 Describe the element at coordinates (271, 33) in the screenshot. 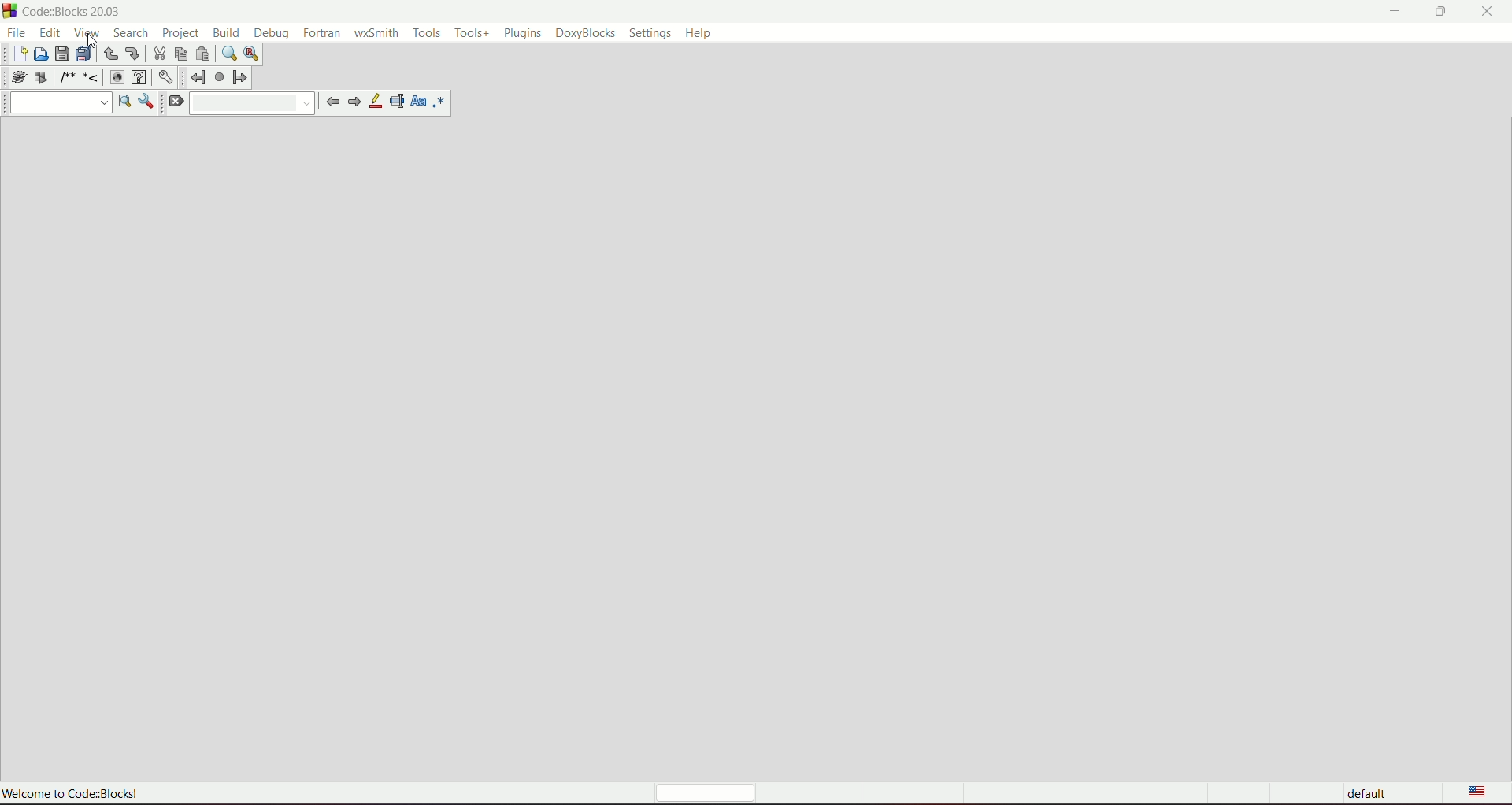

I see `debug` at that location.